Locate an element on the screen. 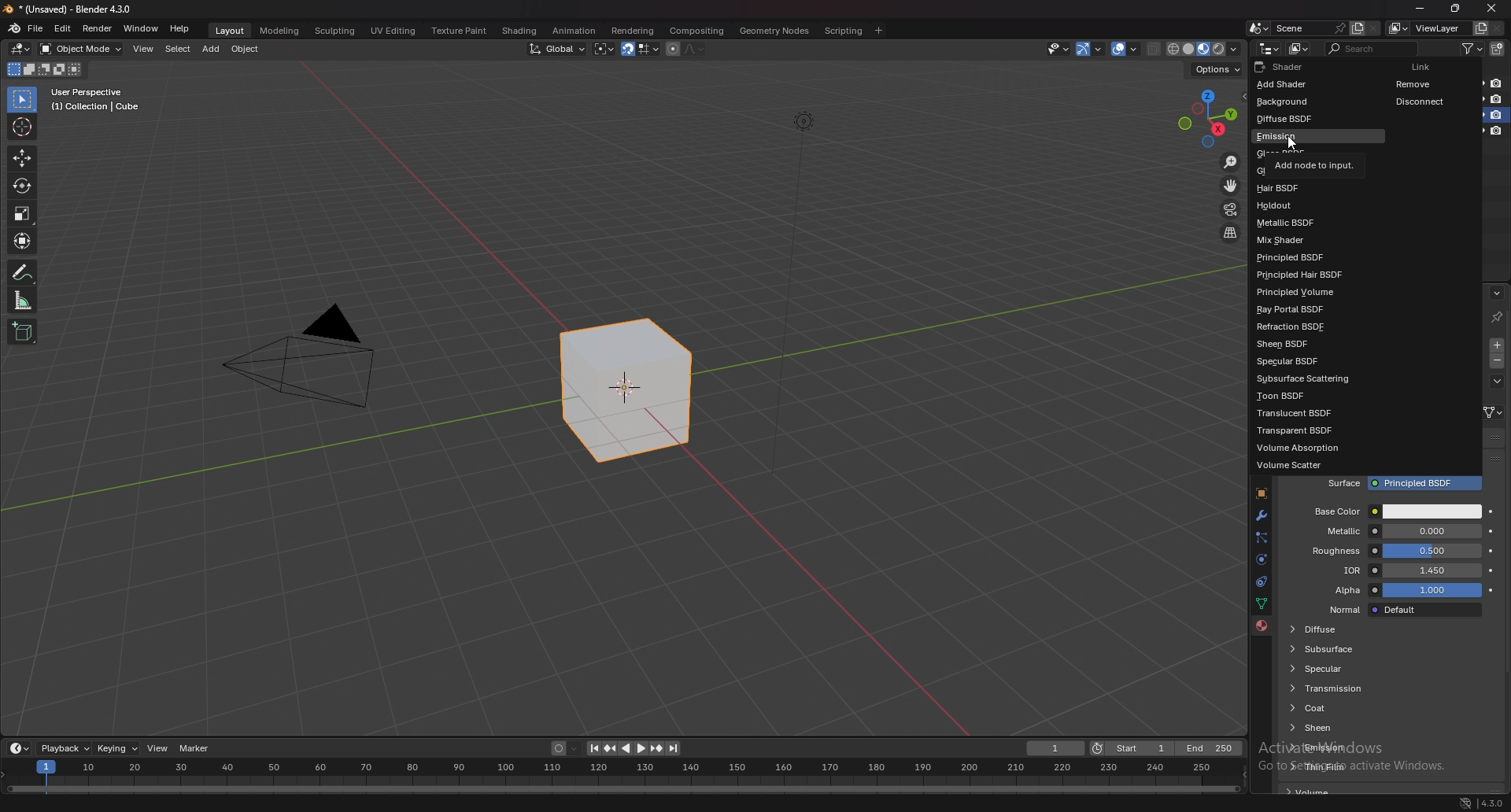 Image resolution: width=1511 pixels, height=812 pixels. filter is located at coordinates (1476, 48).